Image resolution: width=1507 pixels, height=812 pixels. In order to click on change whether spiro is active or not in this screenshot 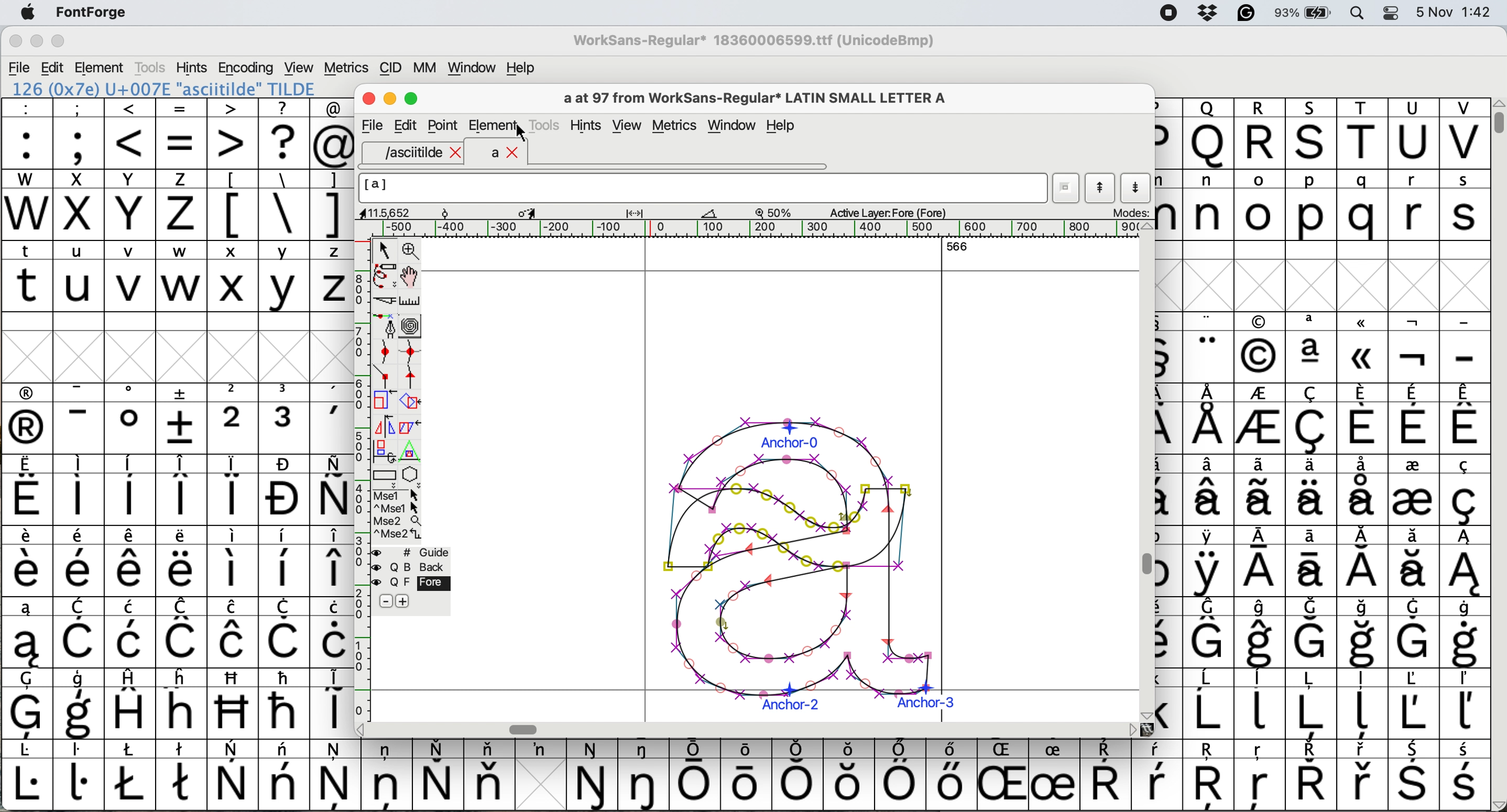, I will do `click(411, 325)`.